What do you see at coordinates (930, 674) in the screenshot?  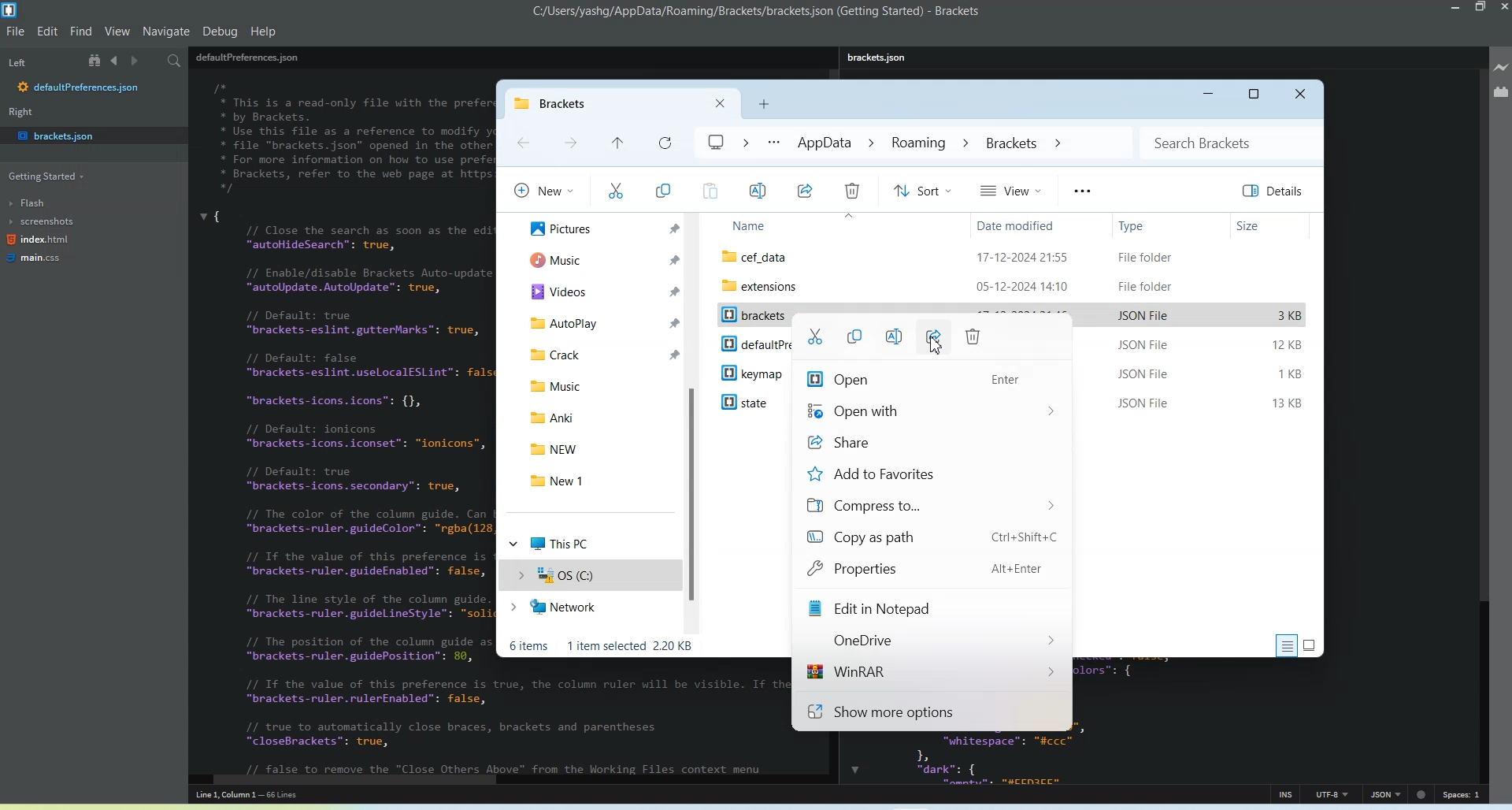 I see `WinRar` at bounding box center [930, 674].